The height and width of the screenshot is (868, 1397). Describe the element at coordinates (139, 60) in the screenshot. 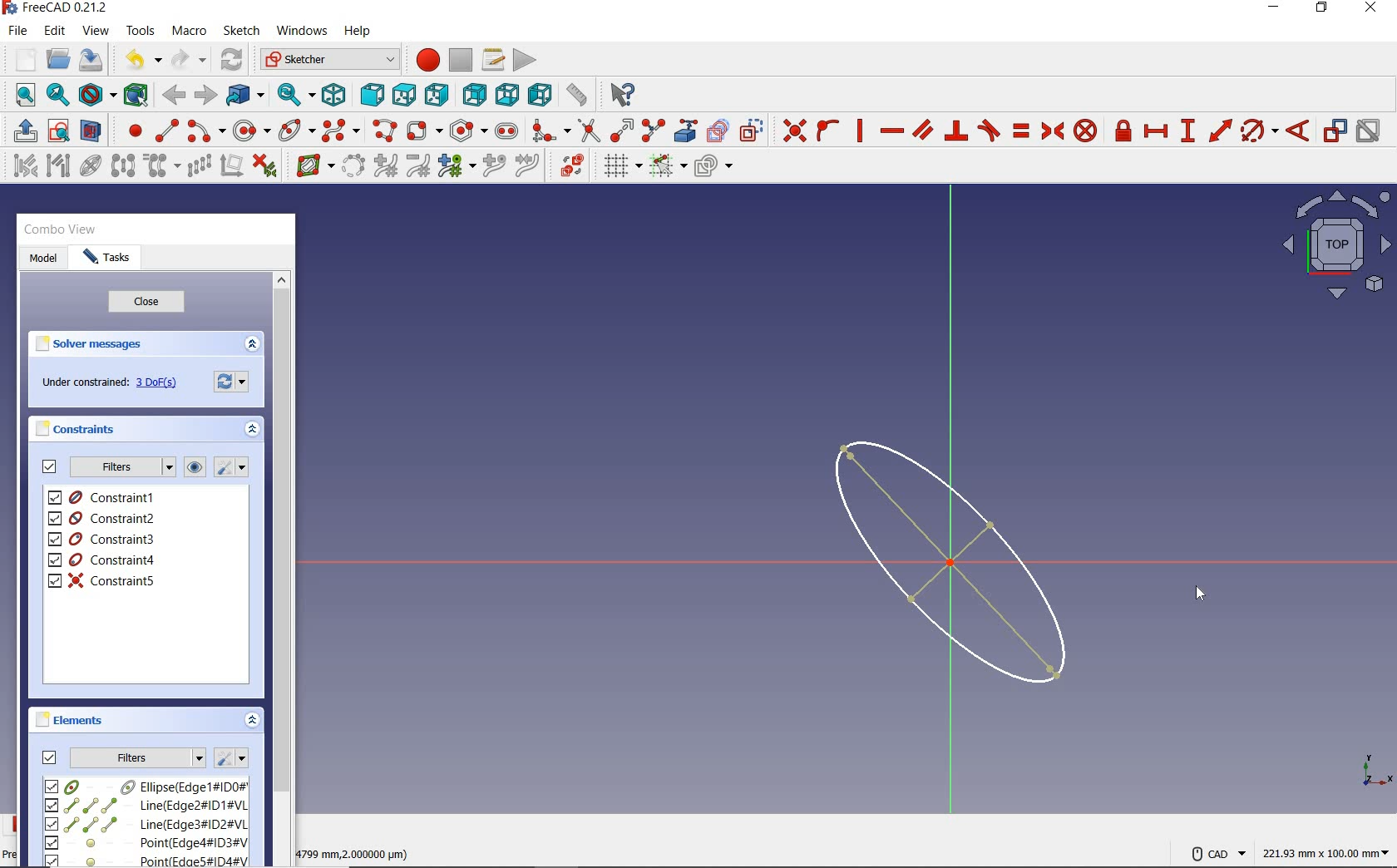

I see `undo` at that location.